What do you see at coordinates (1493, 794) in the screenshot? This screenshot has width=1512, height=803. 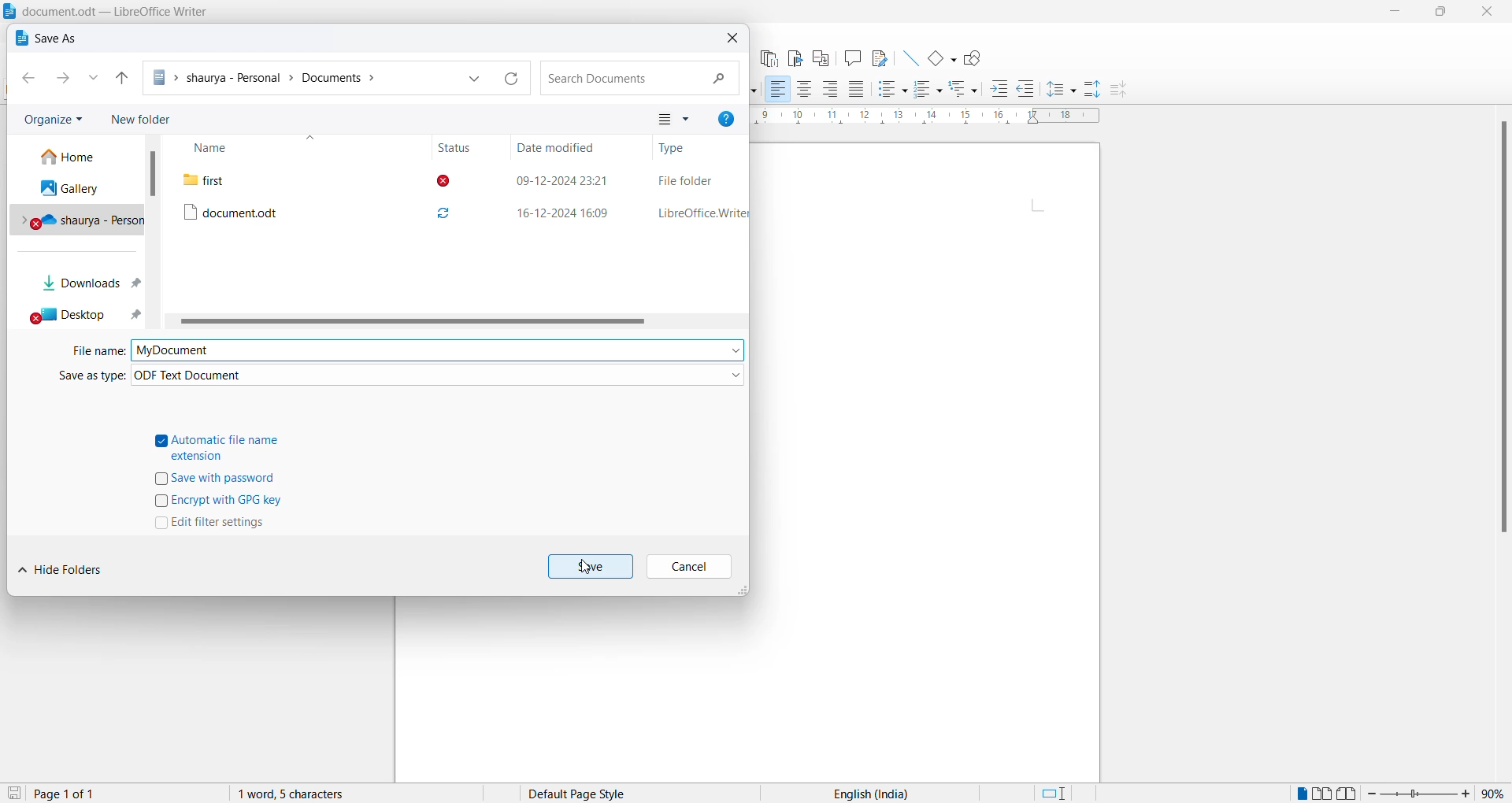 I see `Zoom percentage` at bounding box center [1493, 794].